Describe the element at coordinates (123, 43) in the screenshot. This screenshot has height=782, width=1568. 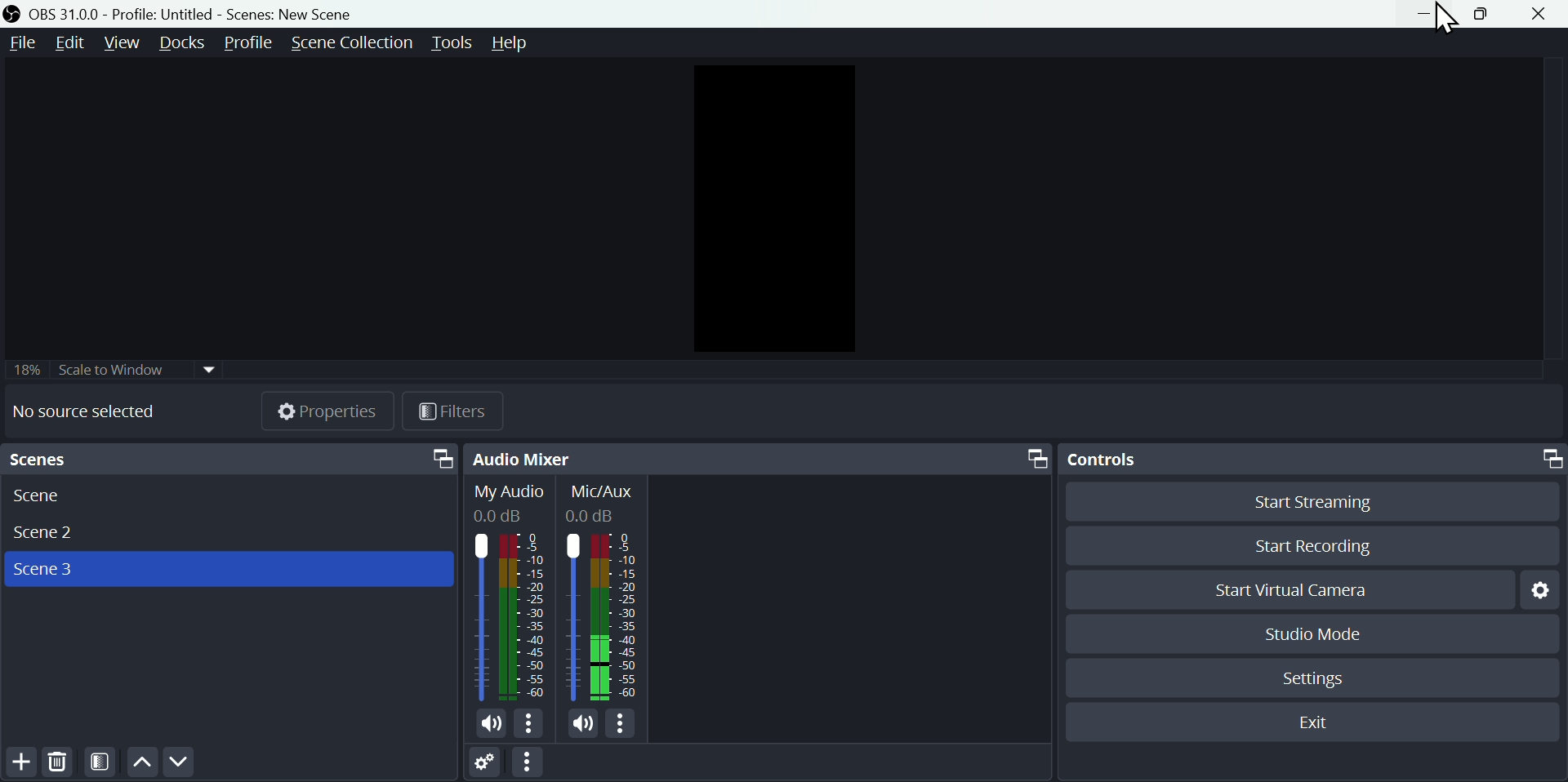
I see `View` at that location.